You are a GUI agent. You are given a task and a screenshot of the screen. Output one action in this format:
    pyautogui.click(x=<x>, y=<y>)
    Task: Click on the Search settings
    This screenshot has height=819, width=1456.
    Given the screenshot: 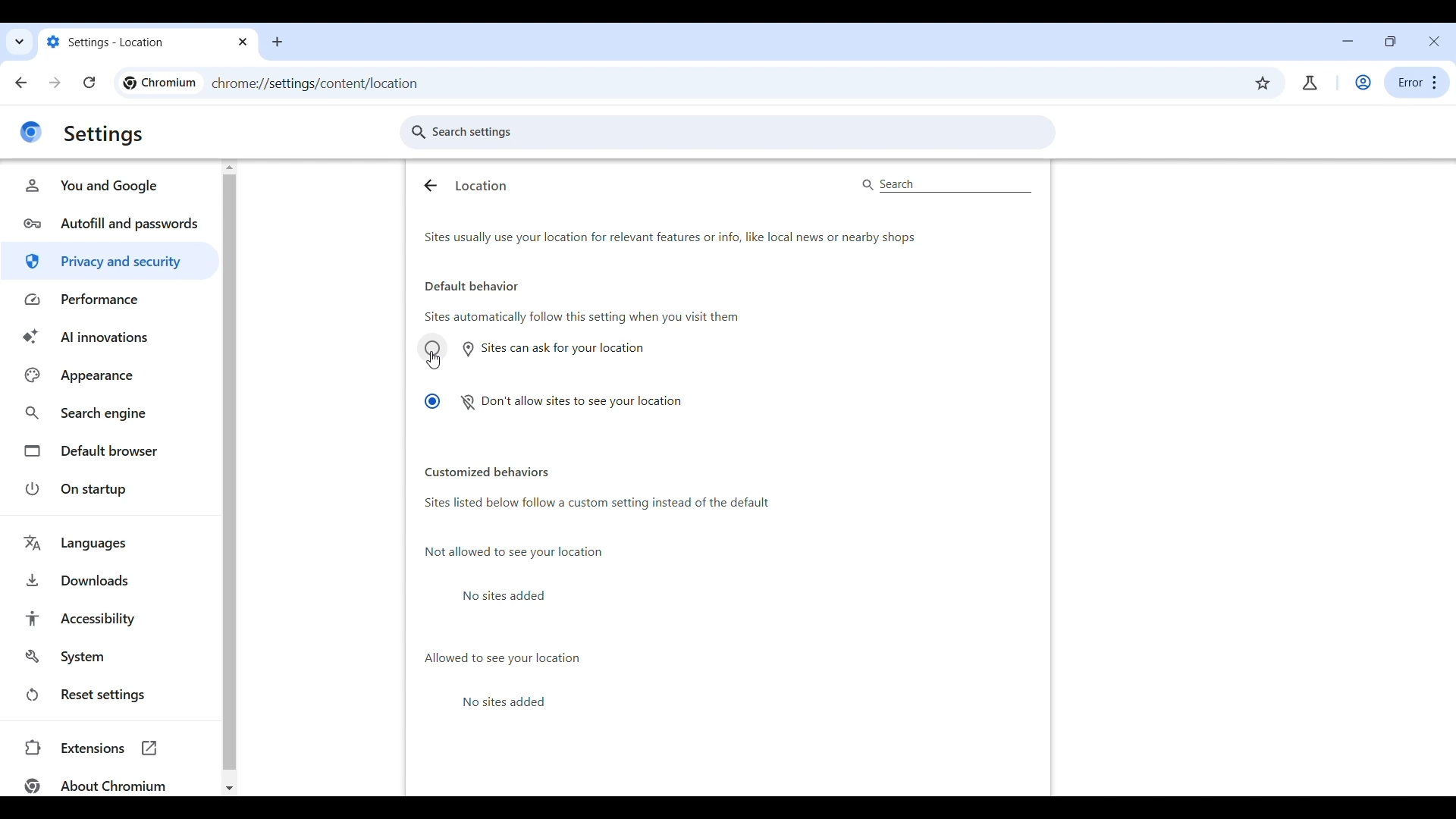 What is the action you would take?
    pyautogui.click(x=728, y=132)
    